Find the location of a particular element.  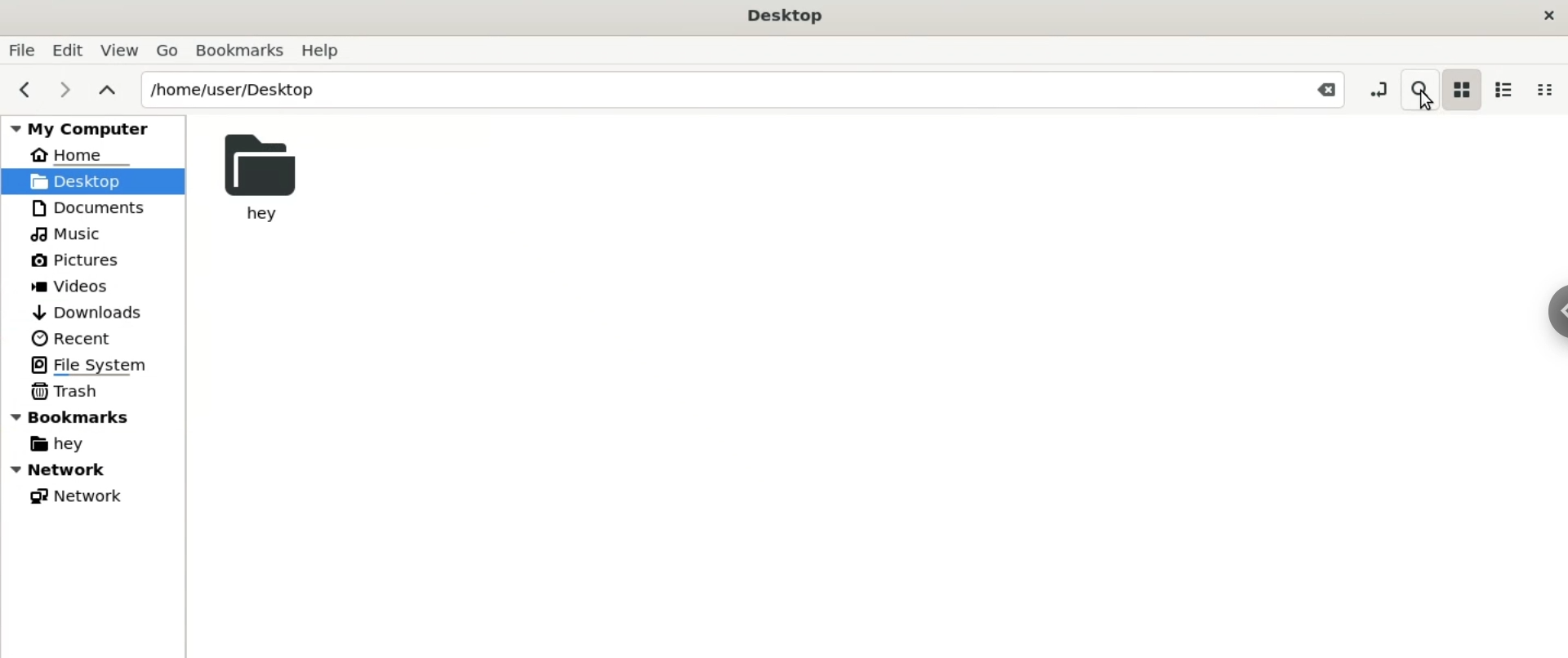

File System is located at coordinates (84, 365).